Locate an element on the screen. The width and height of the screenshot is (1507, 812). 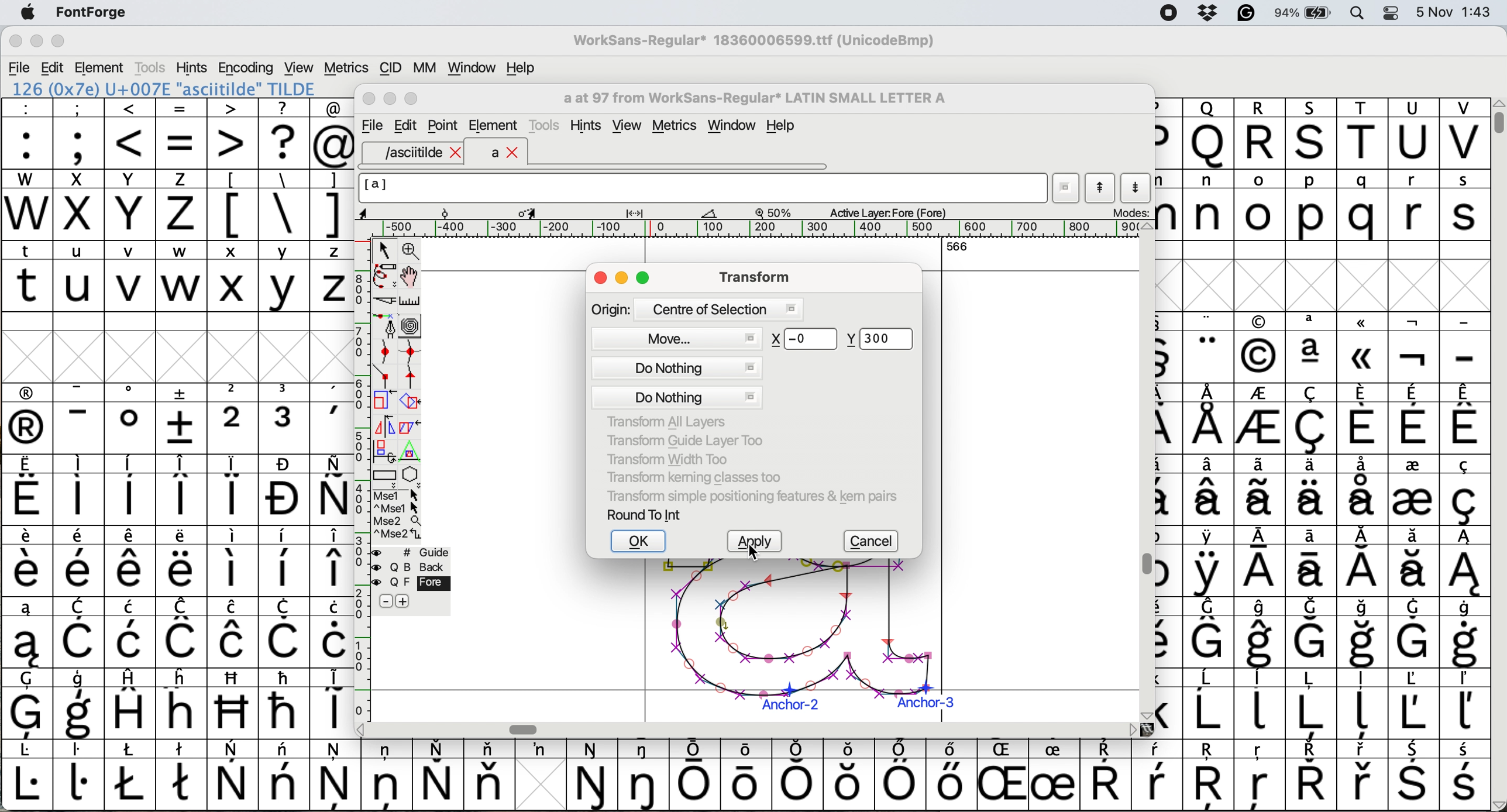
add a curve point vertically or horizontally is located at coordinates (414, 352).